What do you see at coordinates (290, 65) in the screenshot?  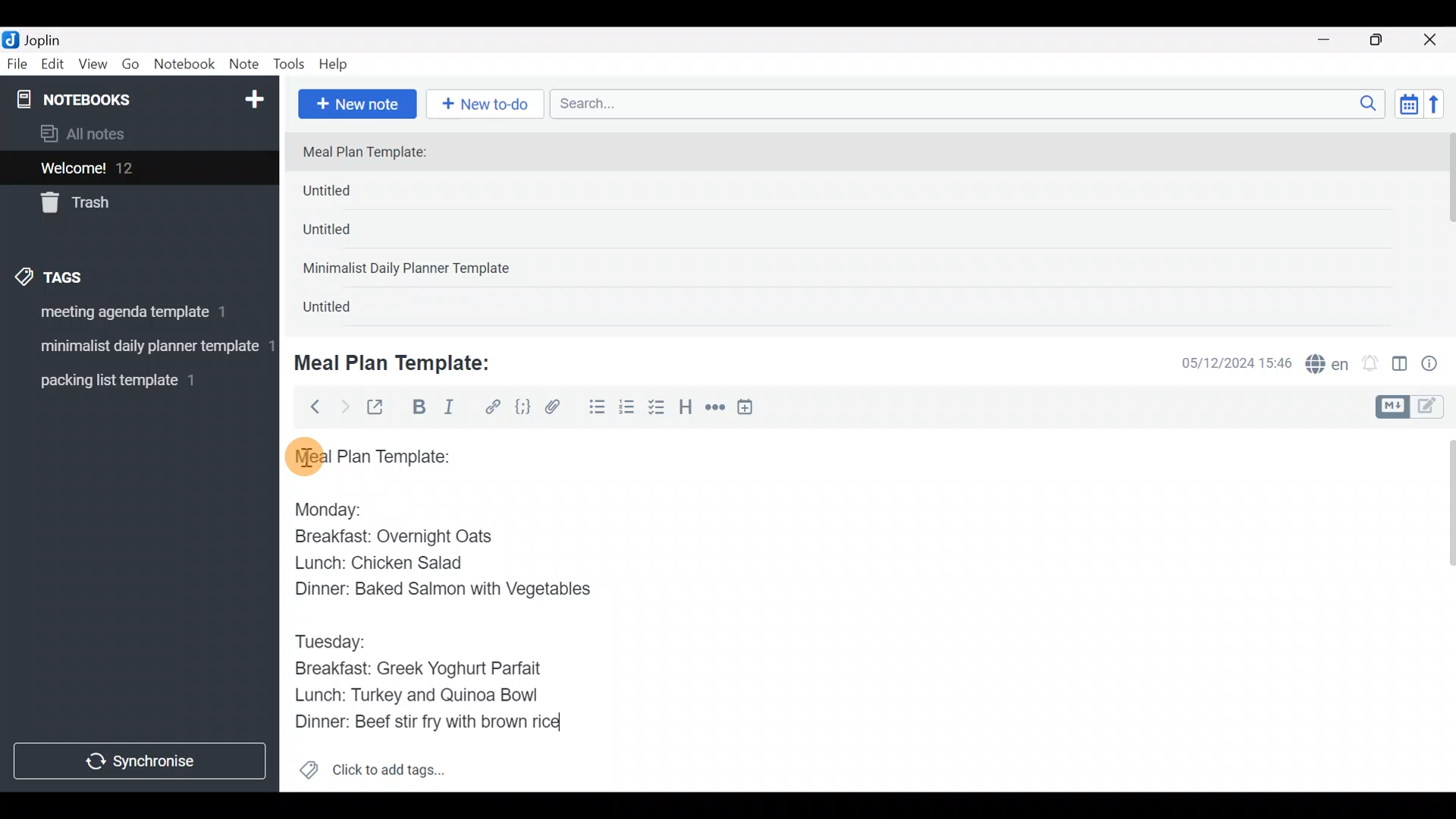 I see `Tools` at bounding box center [290, 65].